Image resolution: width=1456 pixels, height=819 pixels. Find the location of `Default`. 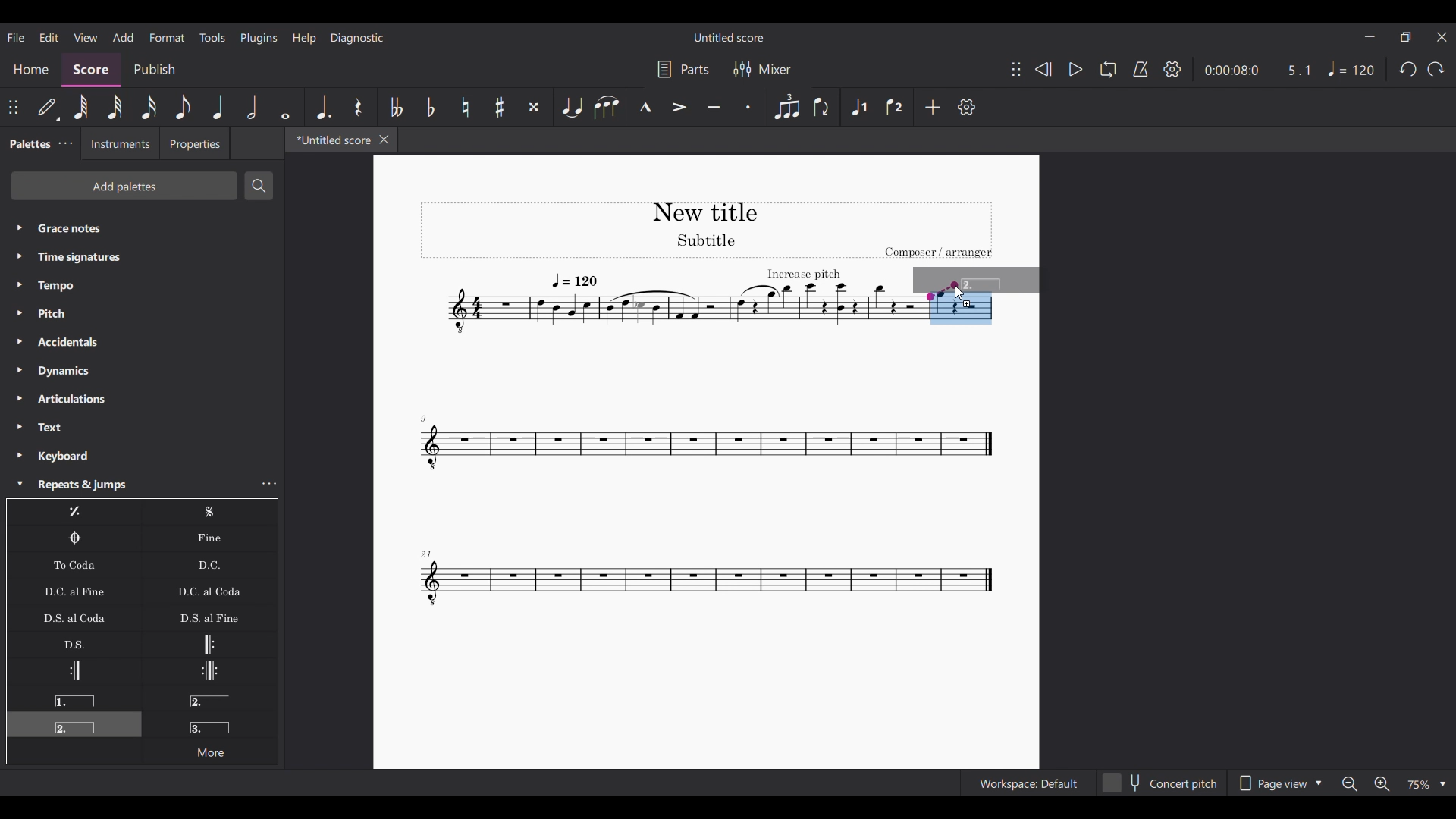

Default is located at coordinates (49, 107).